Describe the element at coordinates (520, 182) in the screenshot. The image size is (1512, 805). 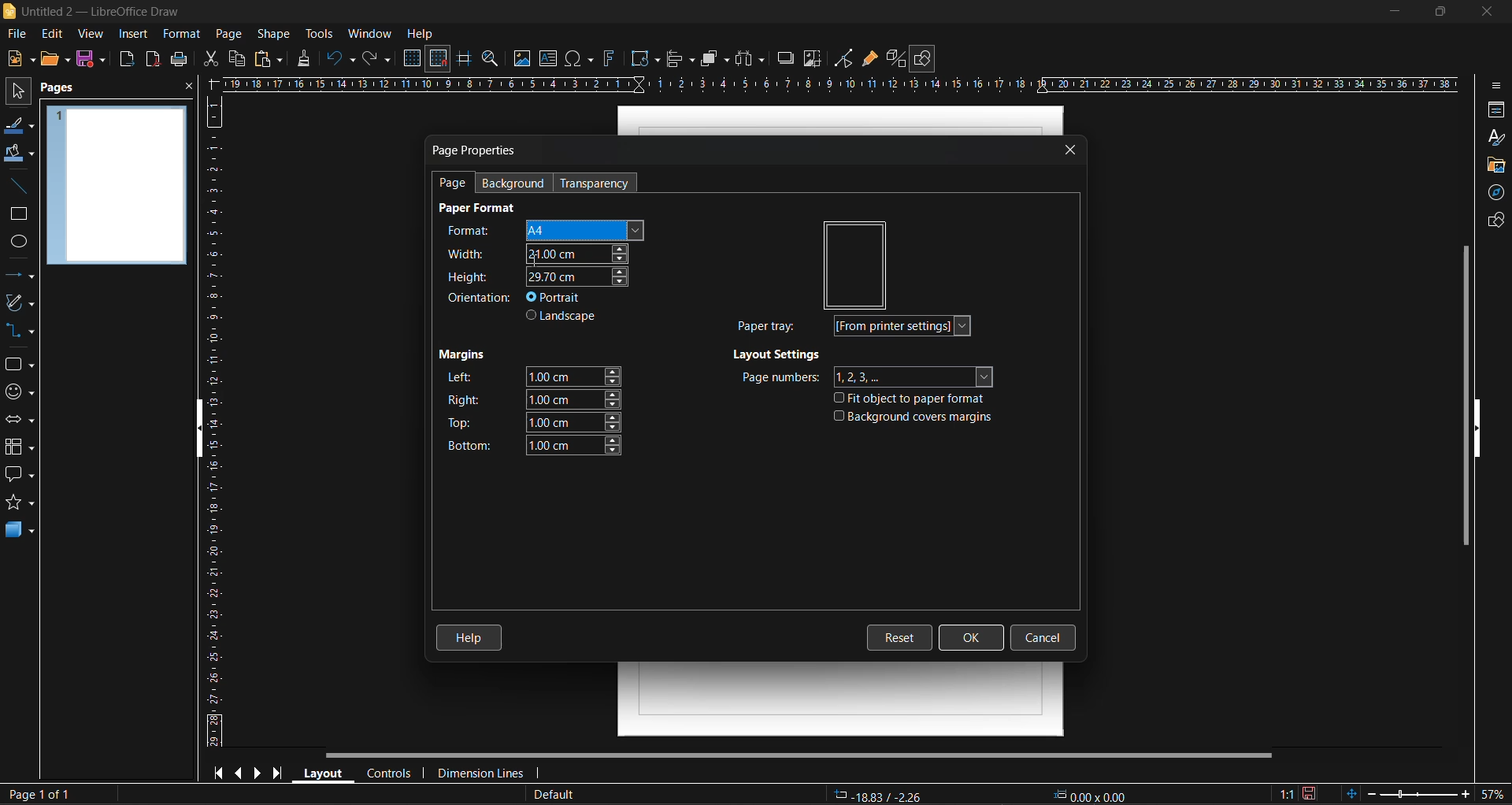
I see `background` at that location.